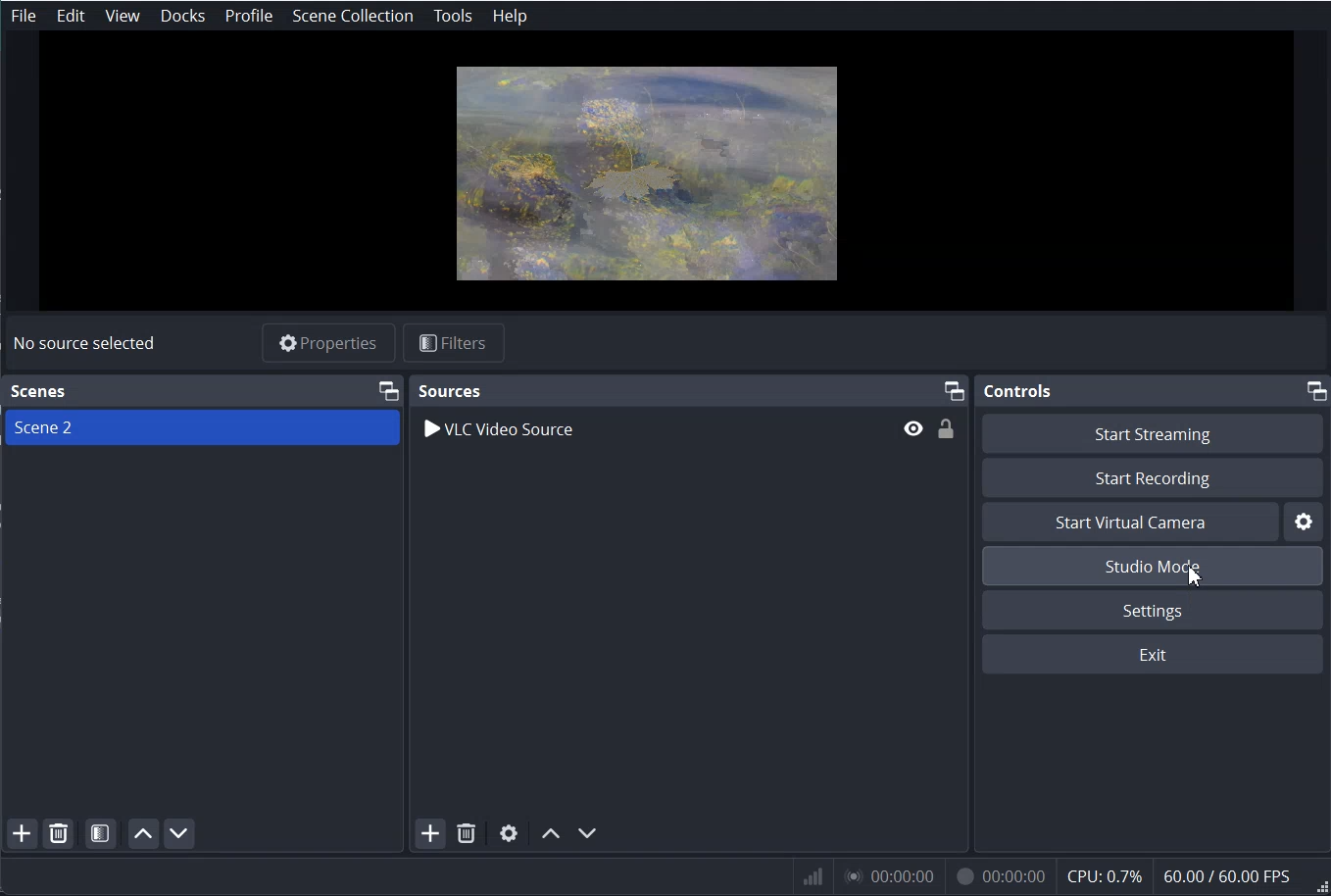 The width and height of the screenshot is (1331, 896). I want to click on Filters, so click(455, 342).